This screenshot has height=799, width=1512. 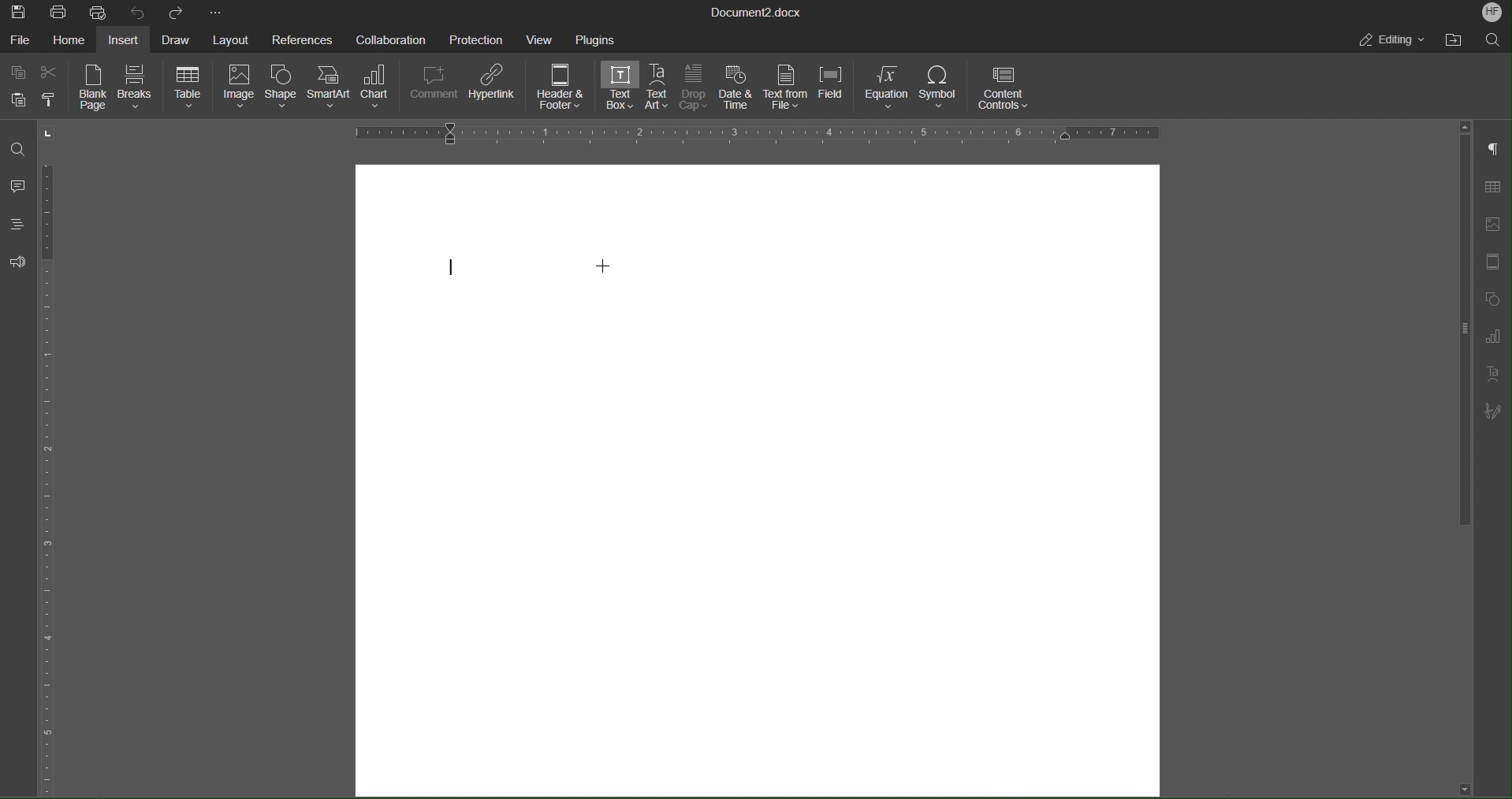 What do you see at coordinates (389, 38) in the screenshot?
I see `Collaboration` at bounding box center [389, 38].